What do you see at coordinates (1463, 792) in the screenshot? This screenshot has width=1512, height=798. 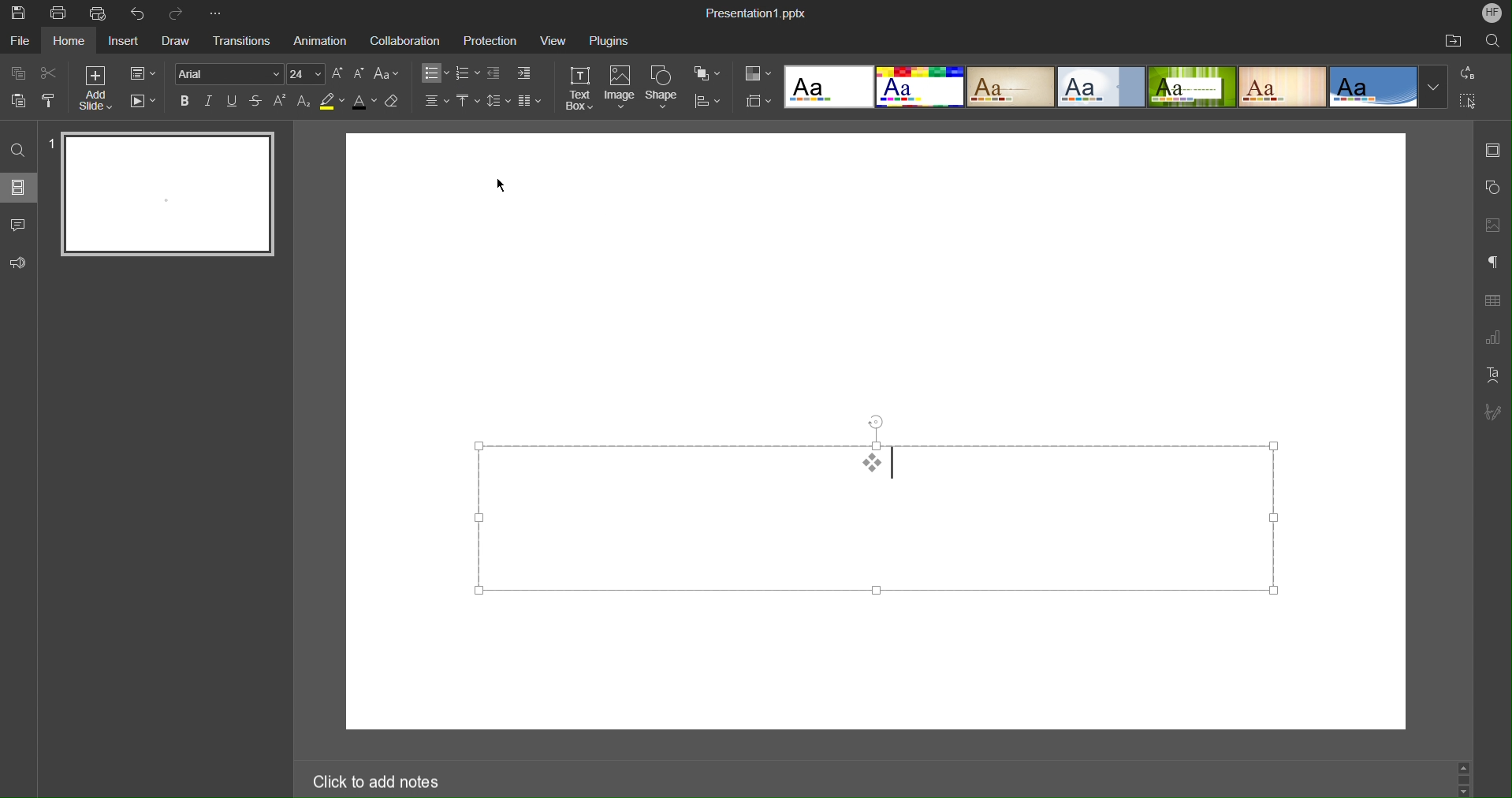 I see `scroll down` at bounding box center [1463, 792].